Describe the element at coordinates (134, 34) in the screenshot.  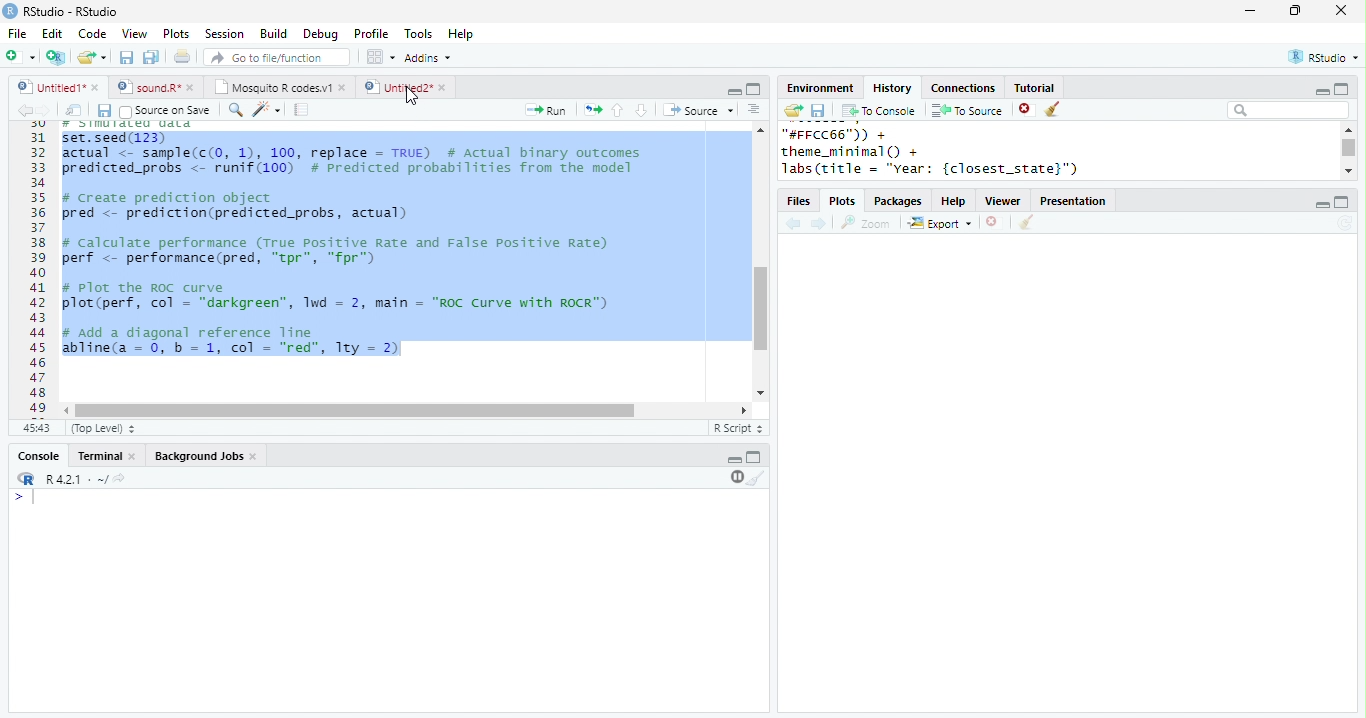
I see `View` at that location.